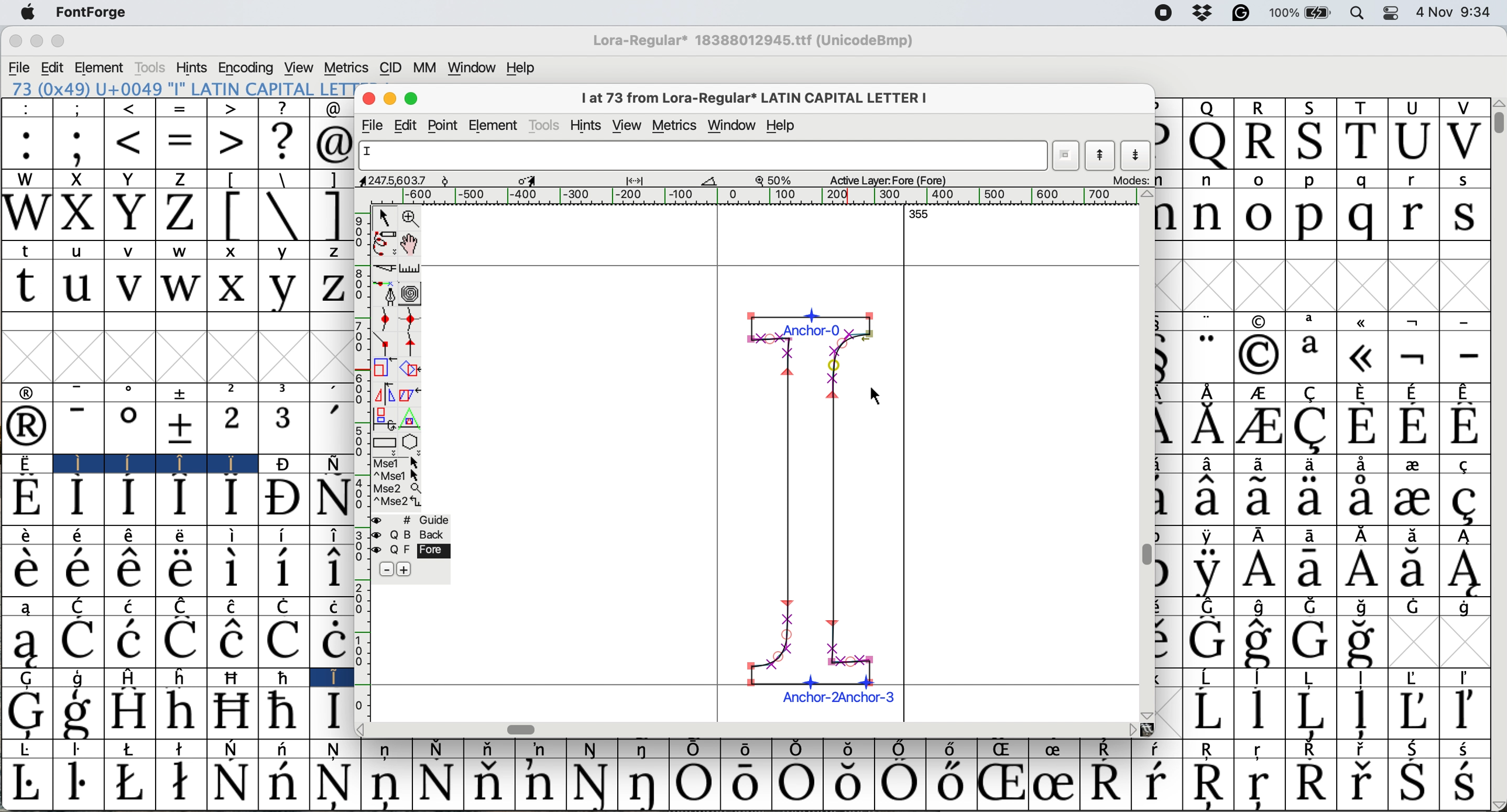 The width and height of the screenshot is (1507, 812). What do you see at coordinates (539, 783) in the screenshot?
I see `Symbol` at bounding box center [539, 783].